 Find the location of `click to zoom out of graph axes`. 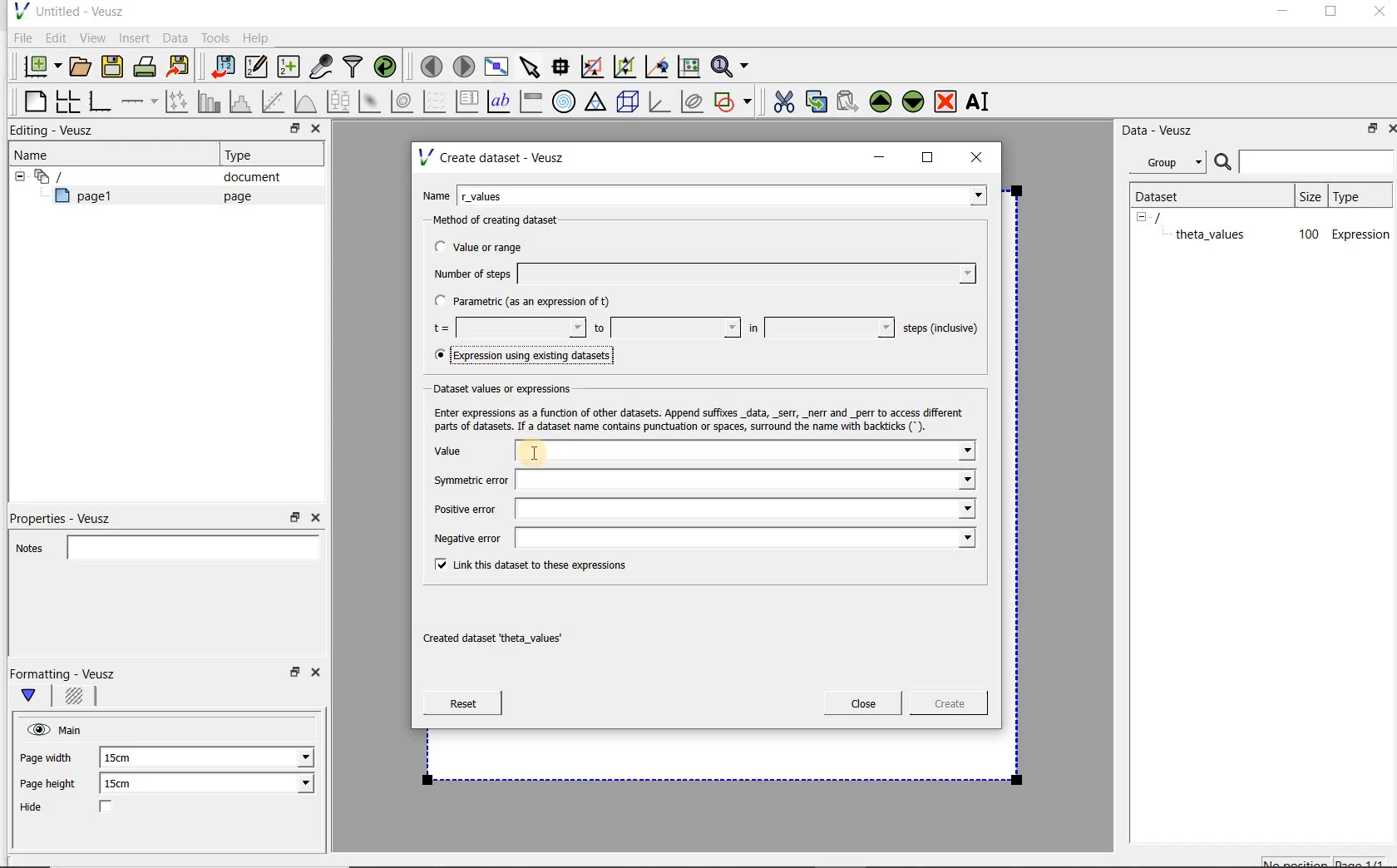

click to zoom out of graph axes is located at coordinates (625, 67).